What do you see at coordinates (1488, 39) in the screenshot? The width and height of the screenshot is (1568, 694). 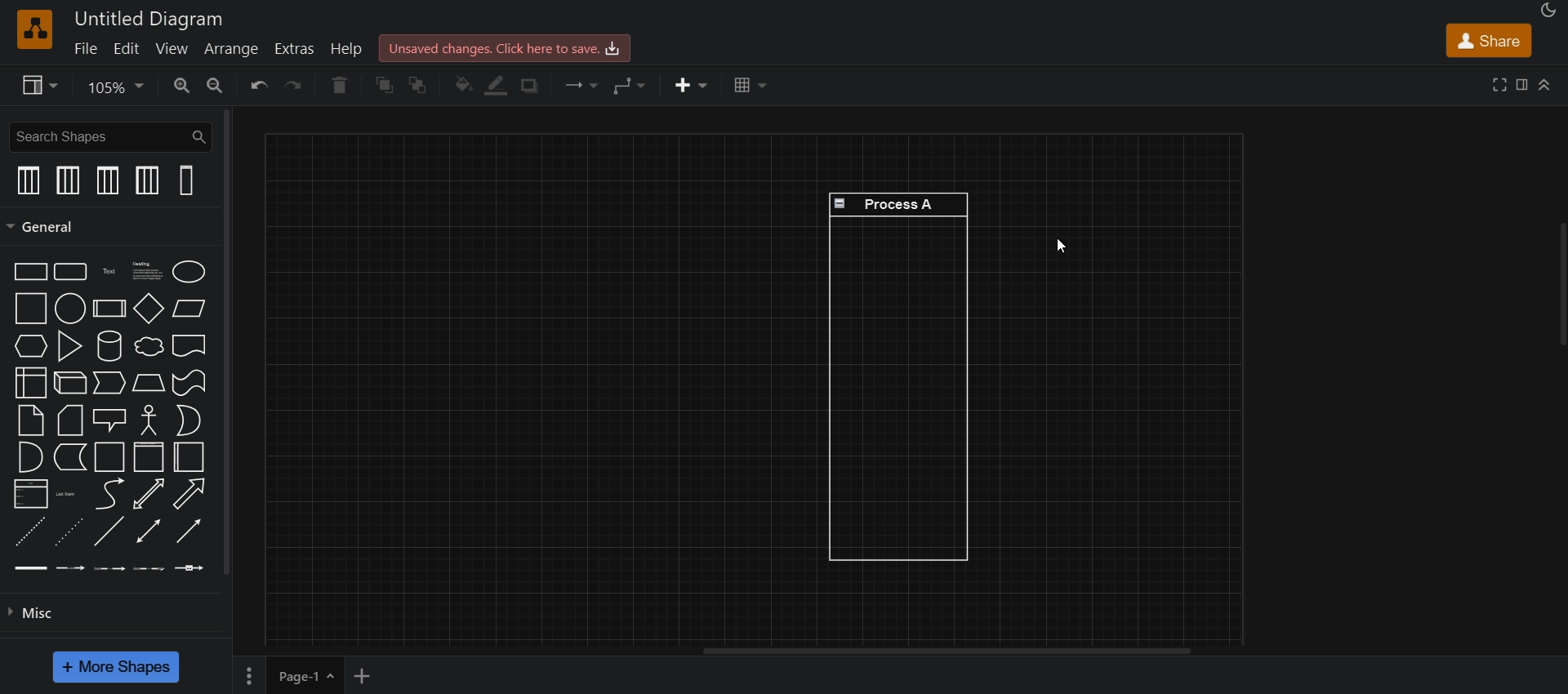 I see `share` at bounding box center [1488, 39].